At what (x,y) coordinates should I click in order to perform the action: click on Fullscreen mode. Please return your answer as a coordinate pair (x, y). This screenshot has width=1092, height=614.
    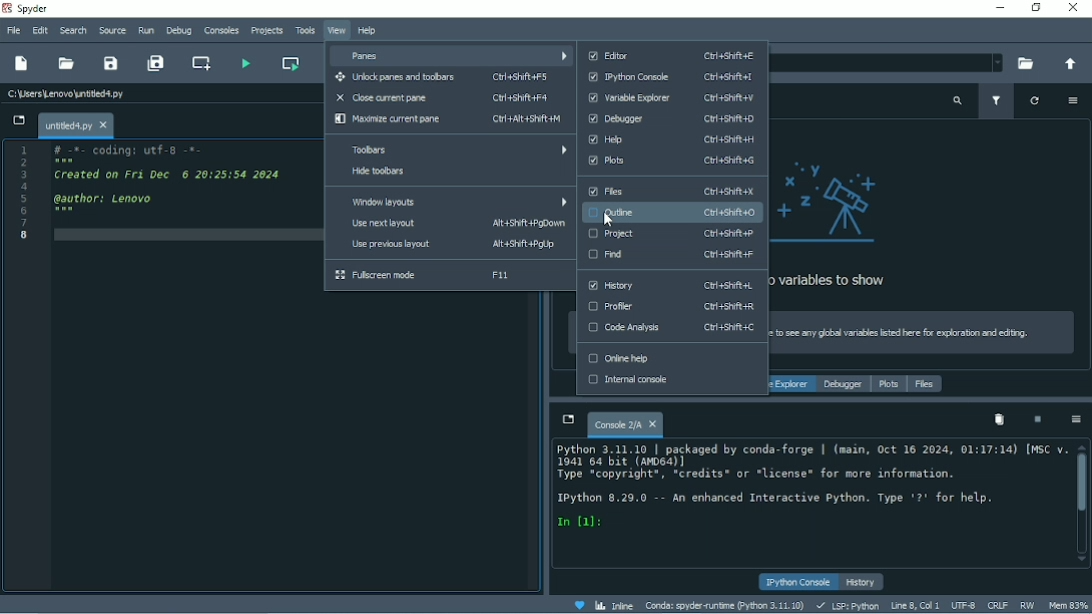
    Looking at the image, I should click on (425, 276).